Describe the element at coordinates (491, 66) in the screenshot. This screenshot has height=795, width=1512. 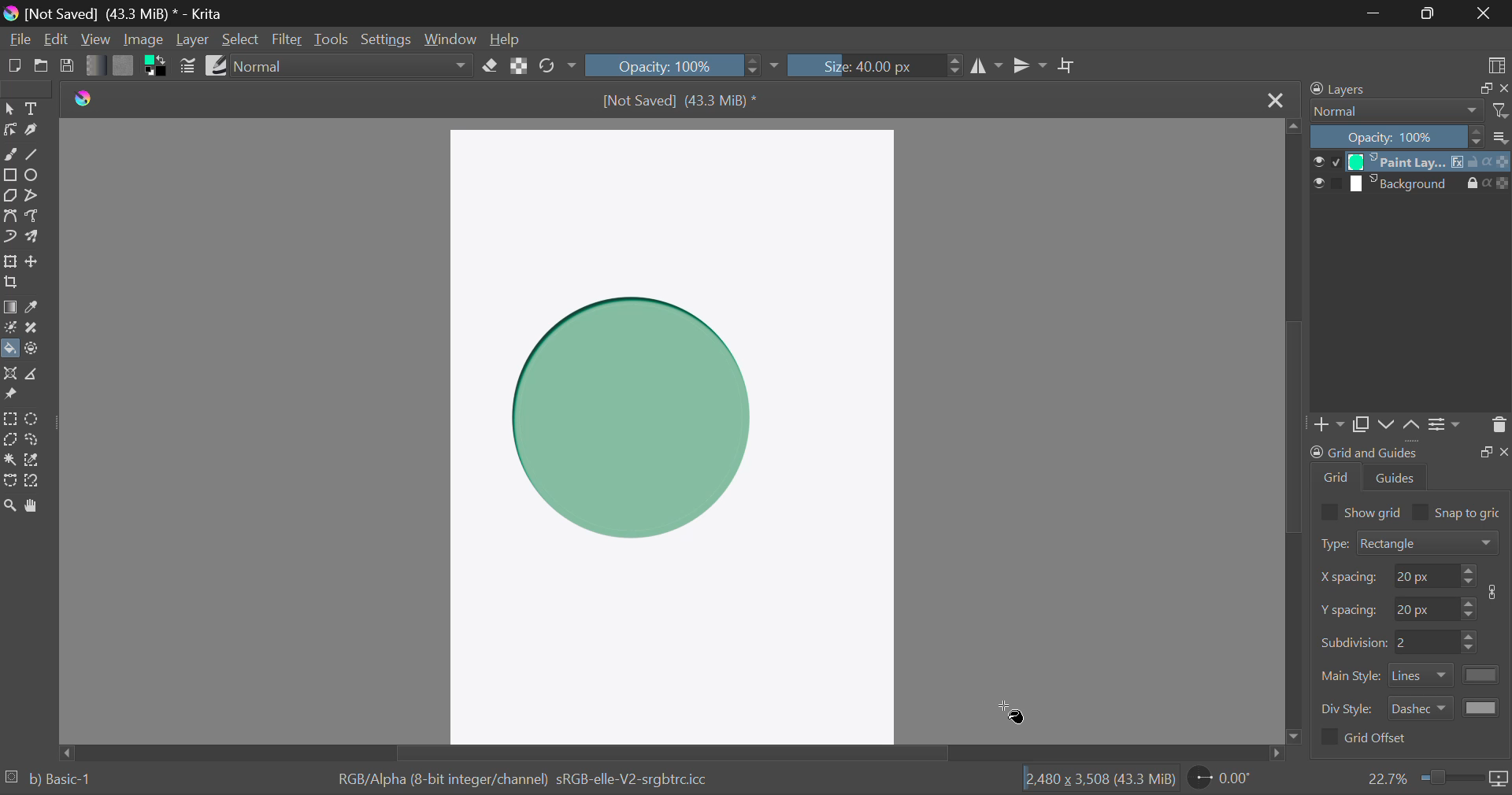
I see `Eraser` at that location.